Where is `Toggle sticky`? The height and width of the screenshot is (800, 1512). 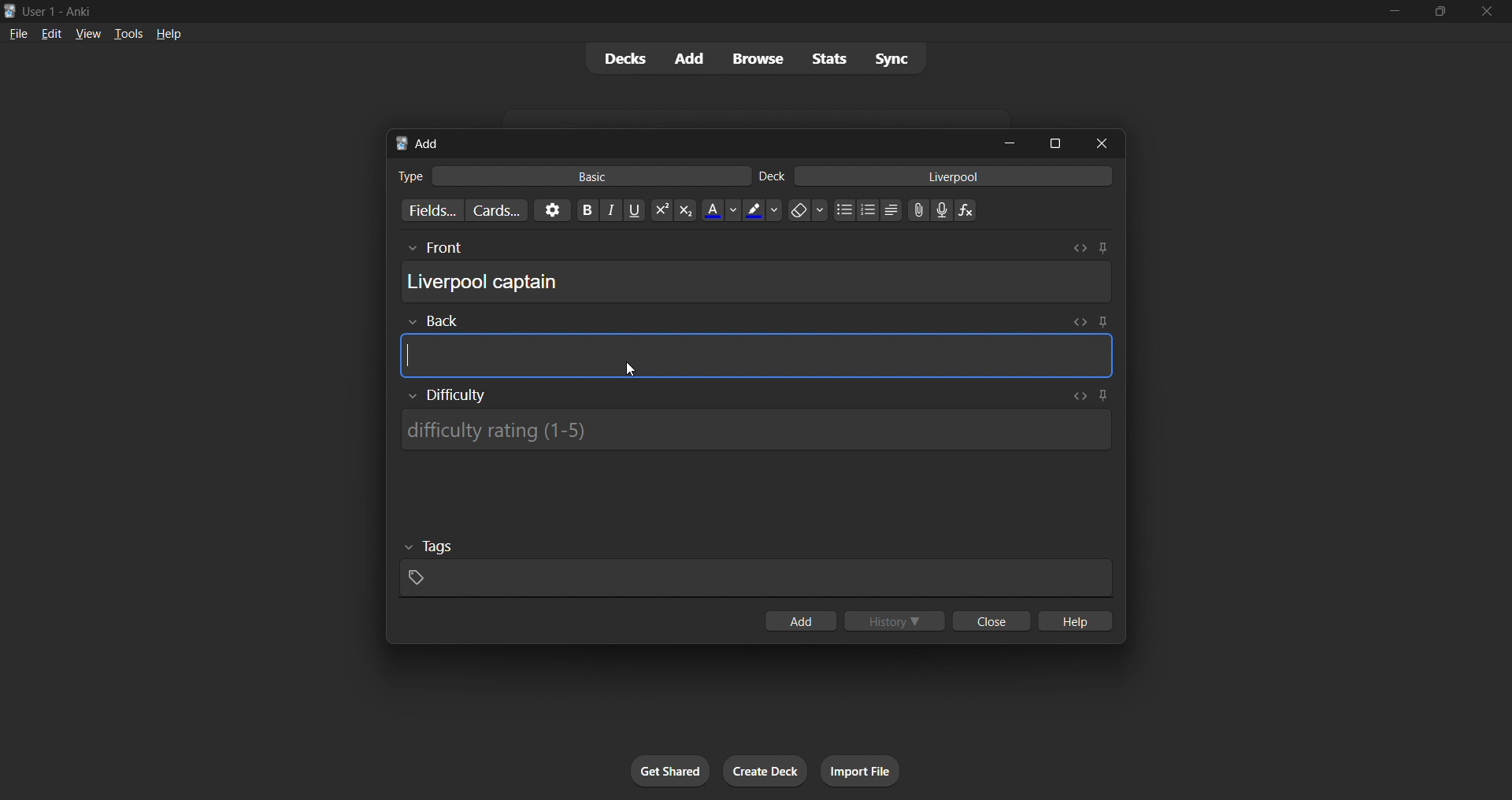
Toggle sticky is located at coordinates (1102, 248).